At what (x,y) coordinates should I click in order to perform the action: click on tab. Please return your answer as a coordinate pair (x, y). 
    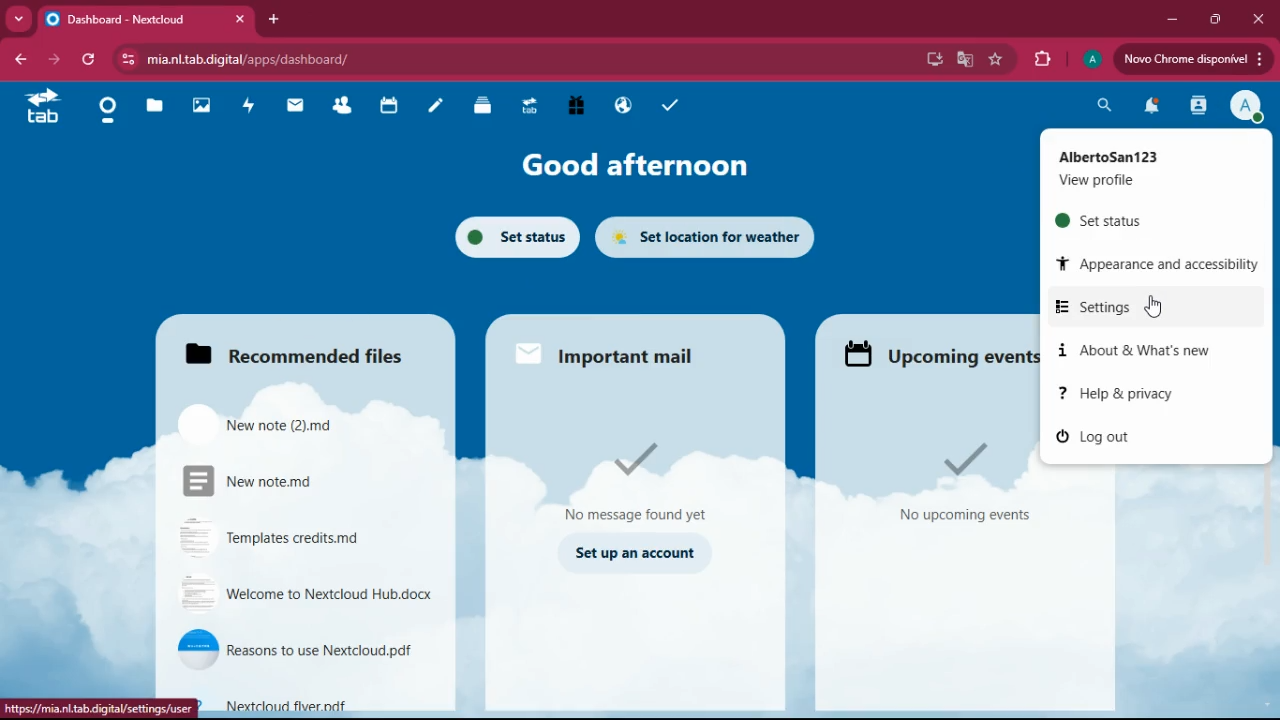
    Looking at the image, I should click on (150, 21).